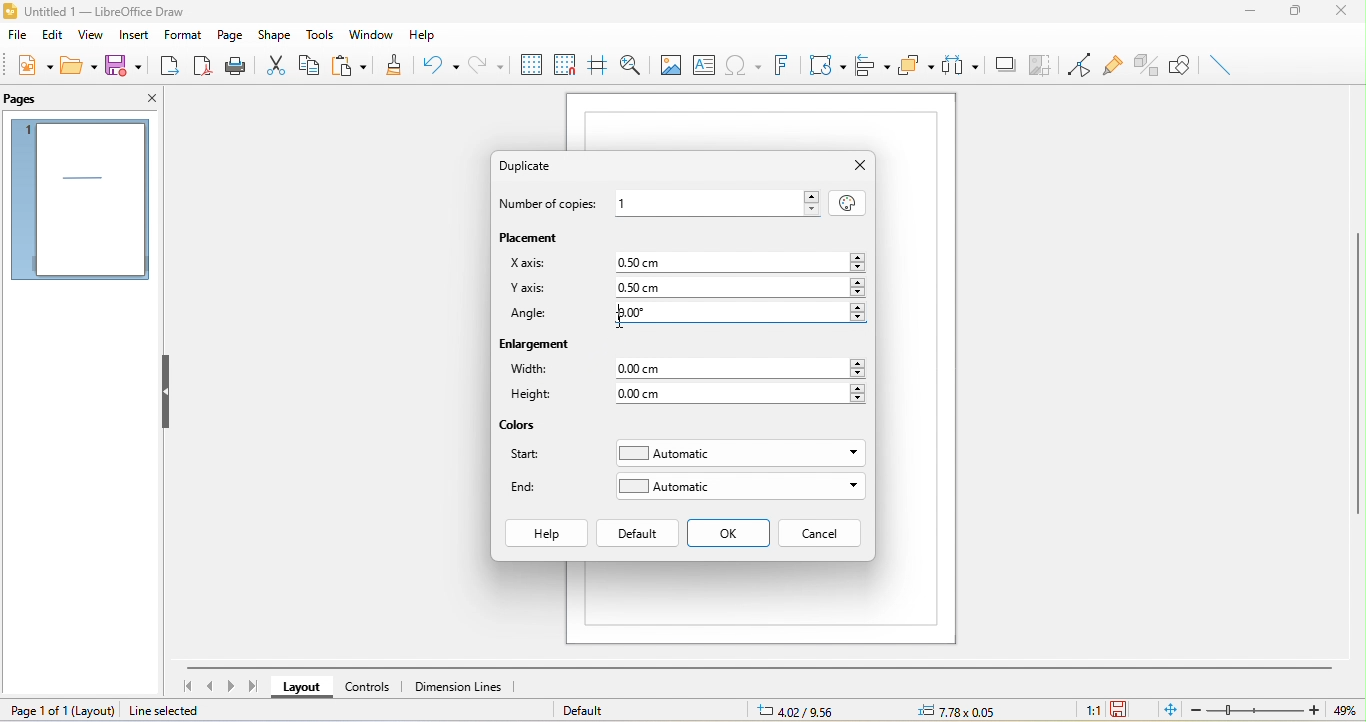  What do you see at coordinates (33, 65) in the screenshot?
I see `new` at bounding box center [33, 65].